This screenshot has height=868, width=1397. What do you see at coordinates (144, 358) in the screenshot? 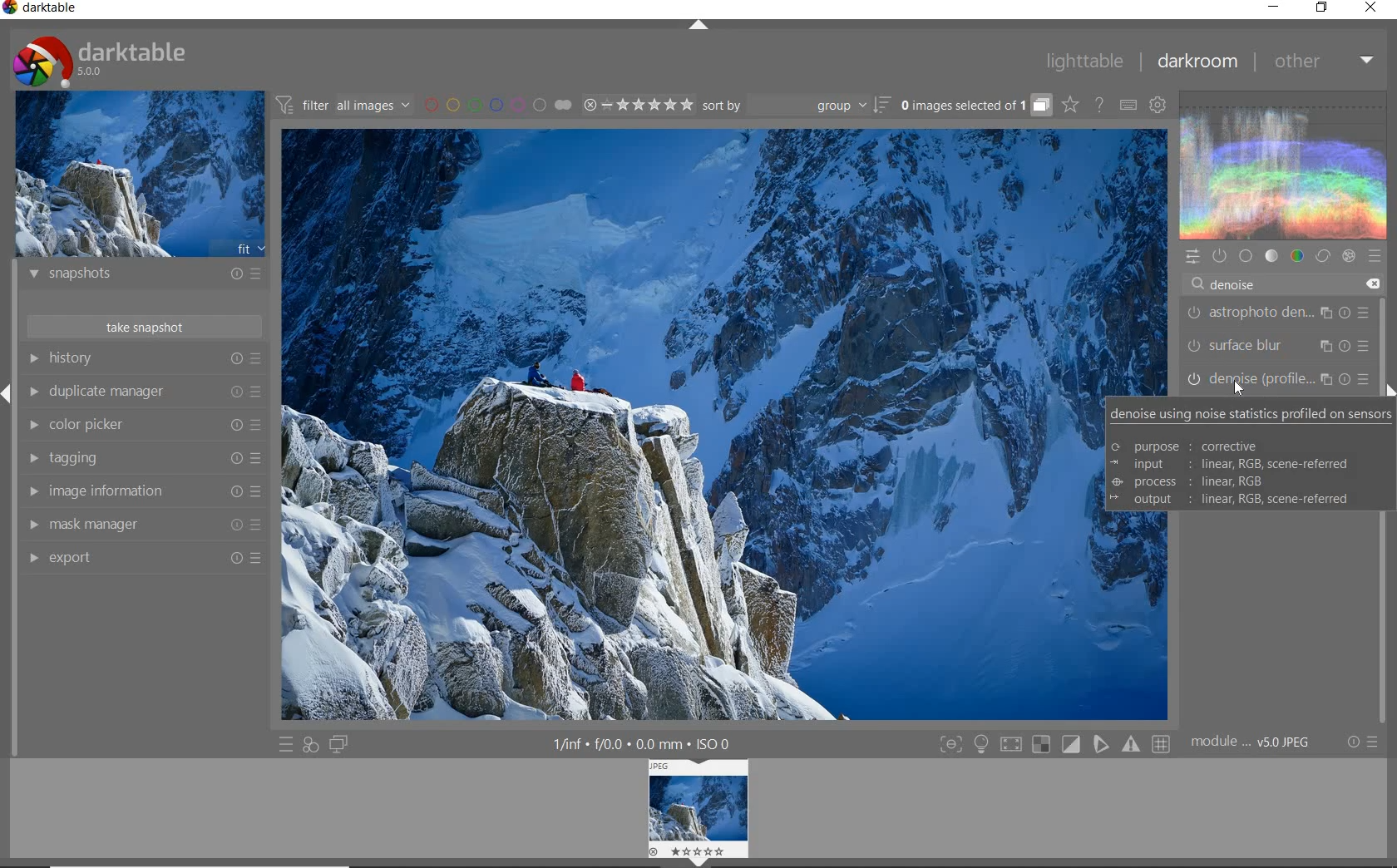
I see `history` at bounding box center [144, 358].